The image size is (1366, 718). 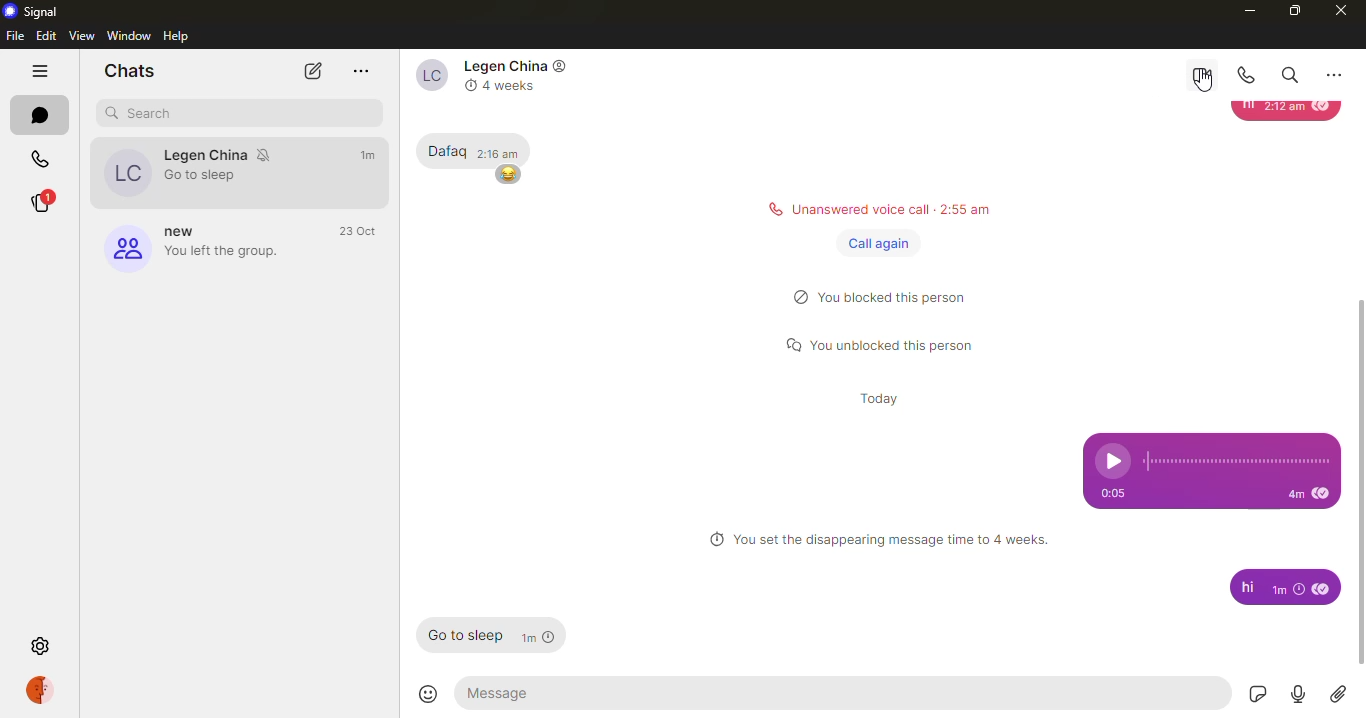 I want to click on Go to sleep, so click(x=459, y=635).